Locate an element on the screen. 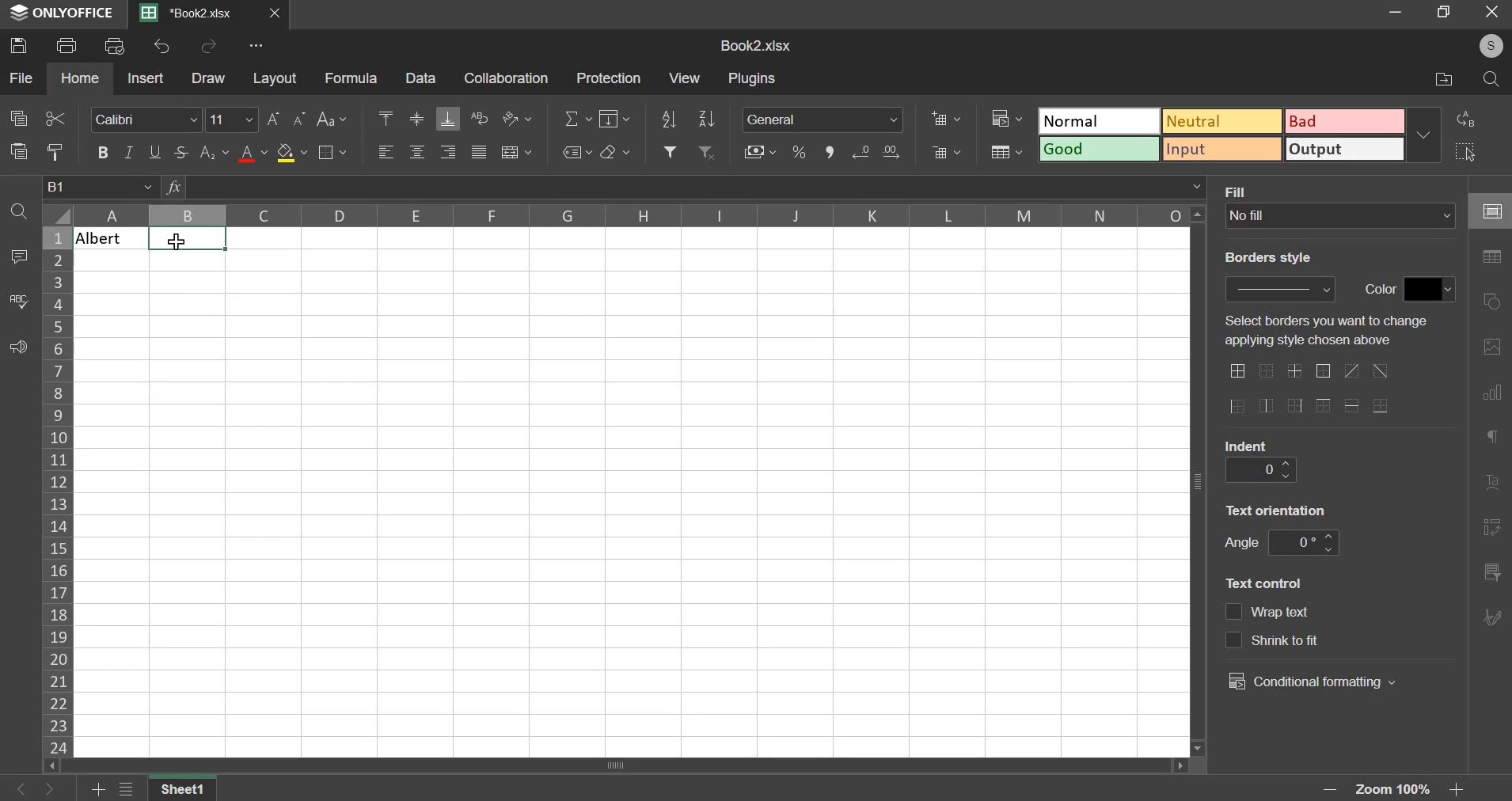  layout is located at coordinates (275, 79).